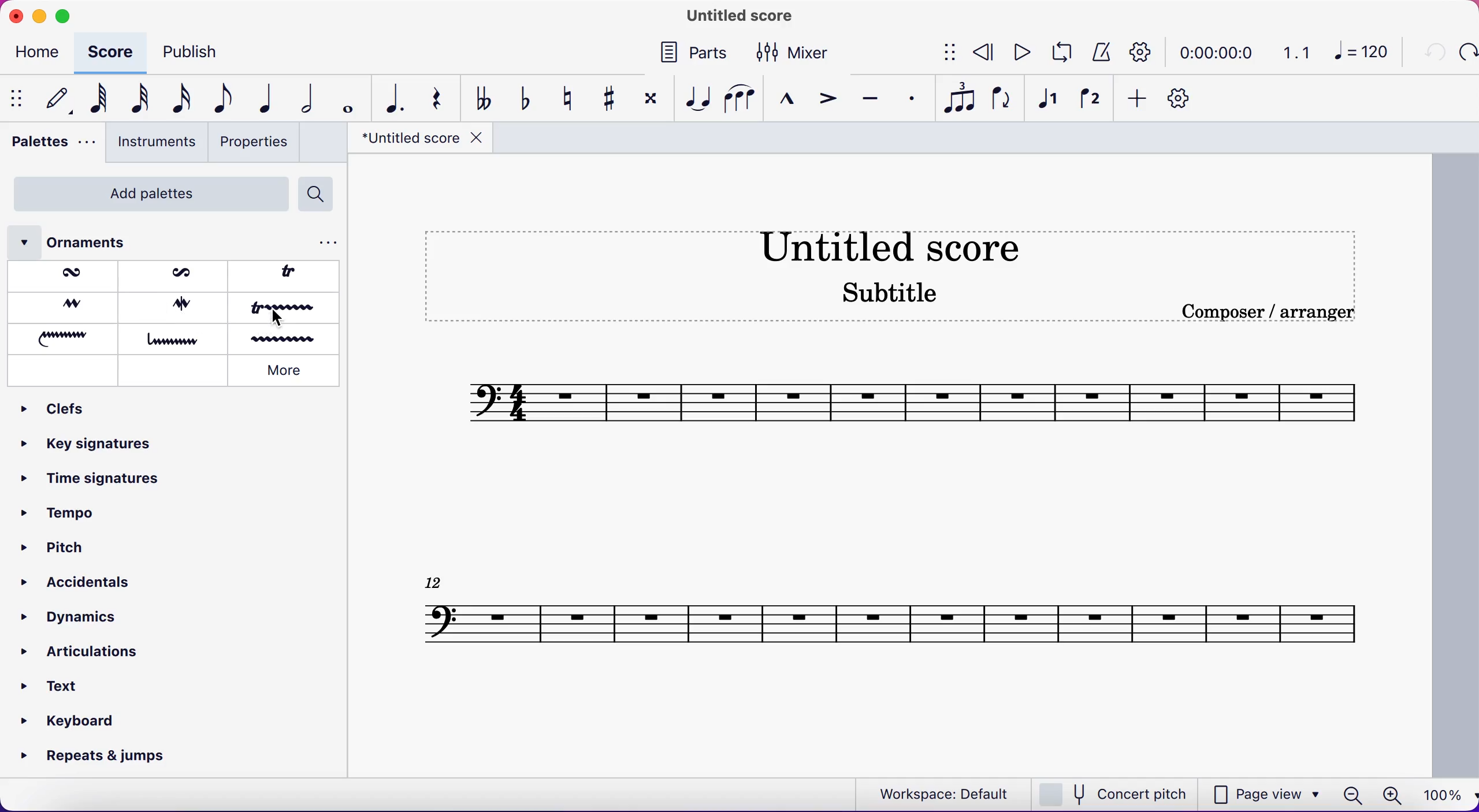  What do you see at coordinates (739, 99) in the screenshot?
I see `slur` at bounding box center [739, 99].